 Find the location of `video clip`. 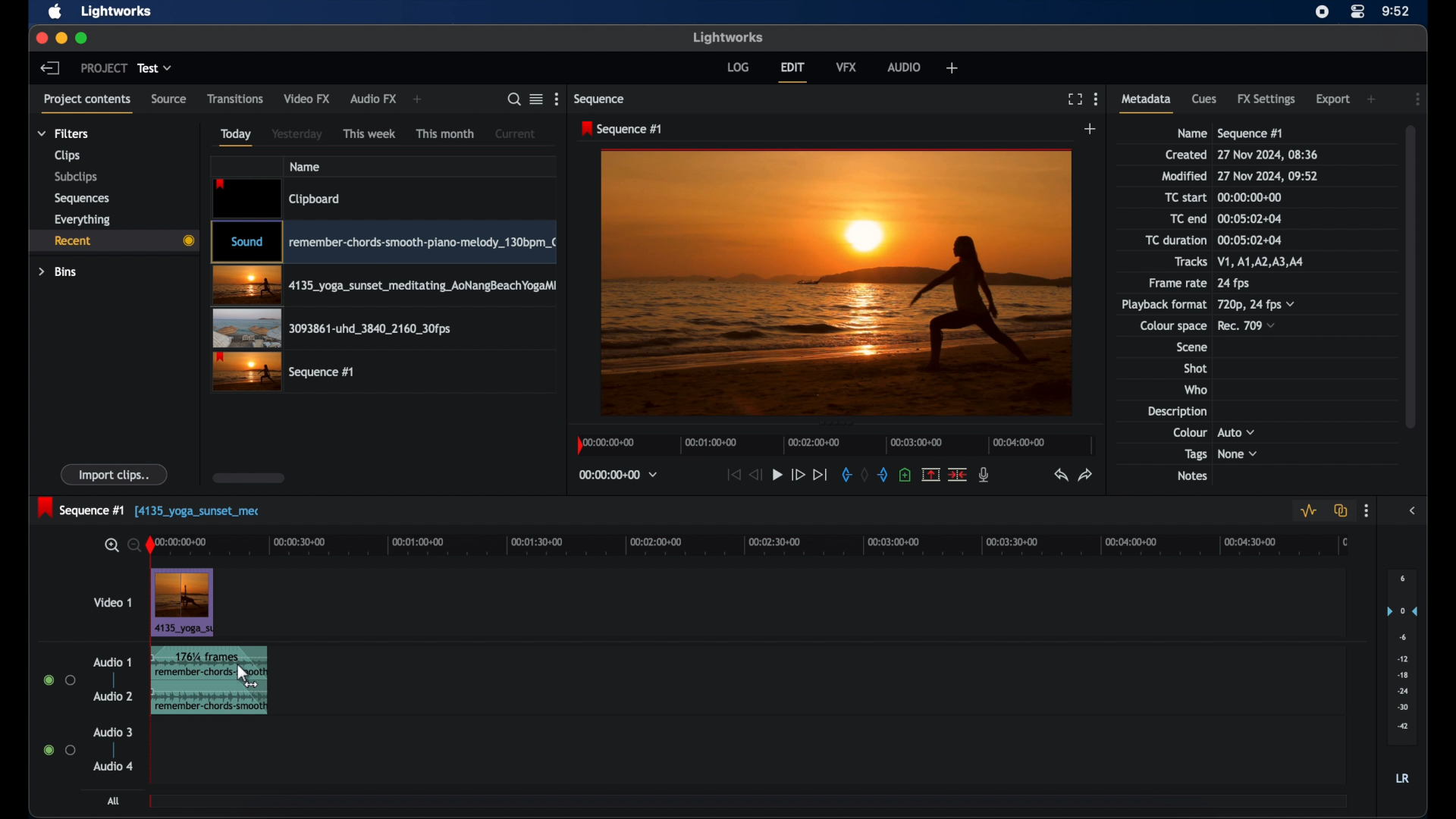

video clip is located at coordinates (333, 328).